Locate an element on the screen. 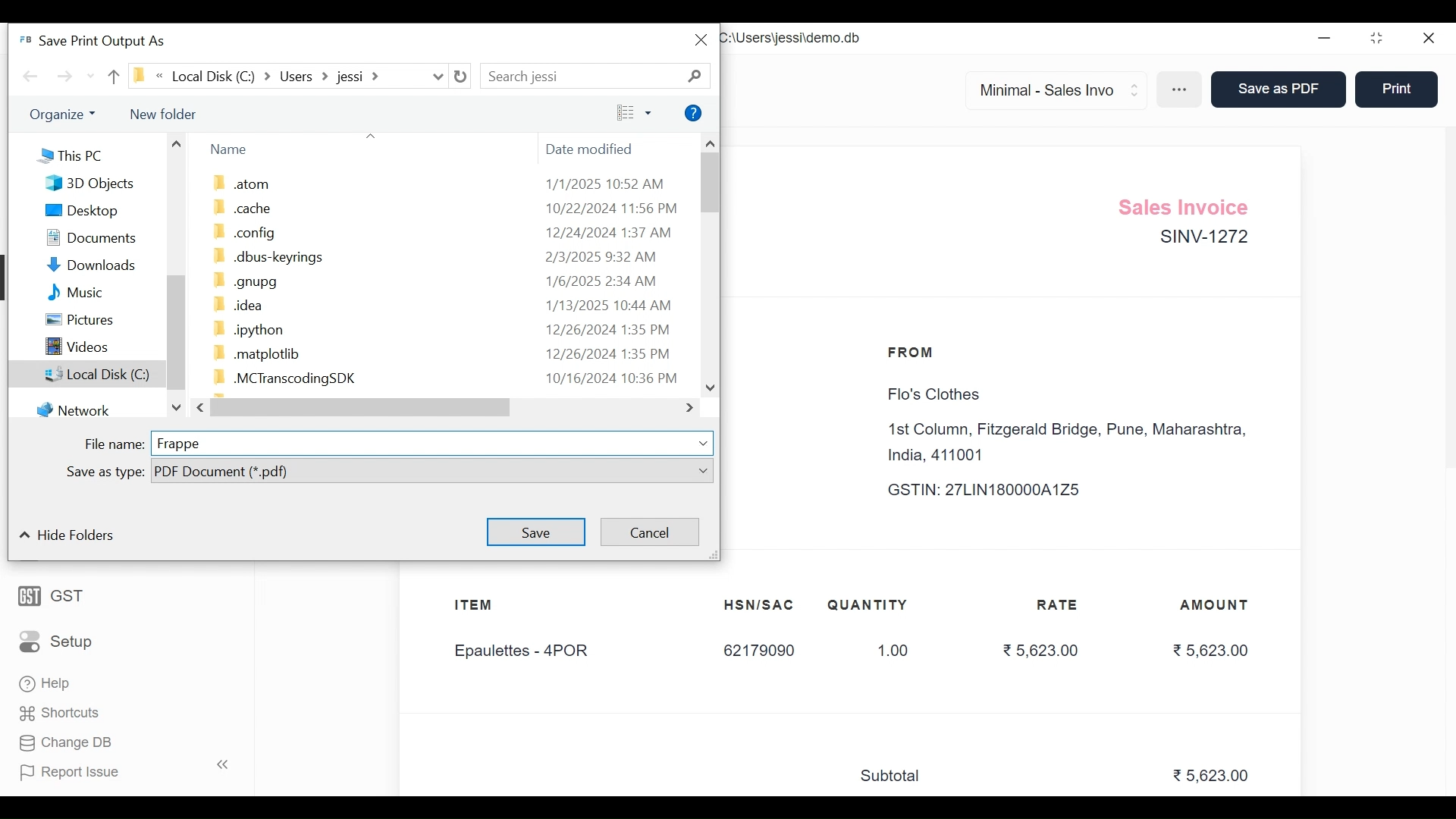  .matplotlib is located at coordinates (256, 354).